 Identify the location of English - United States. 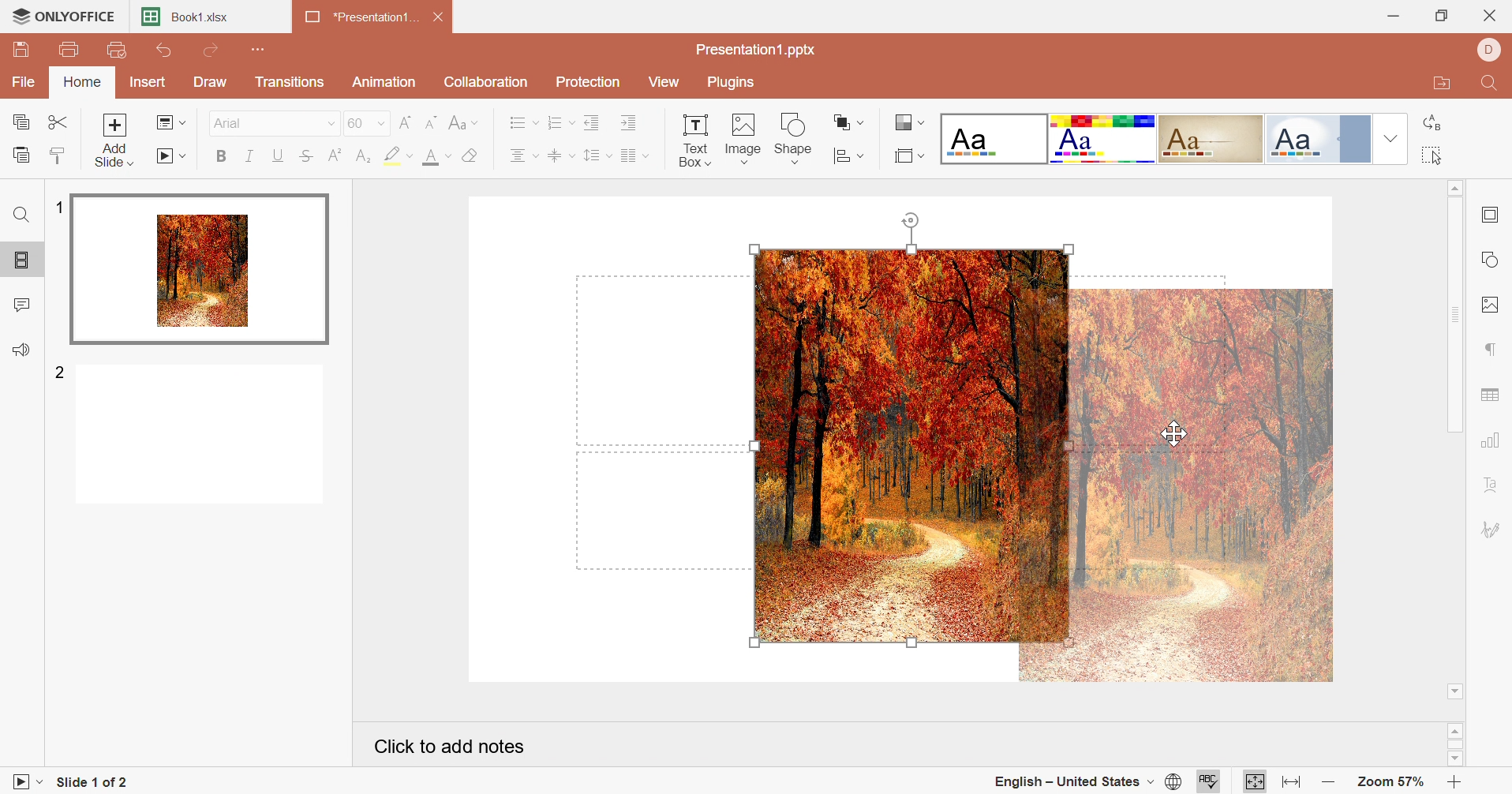
(1072, 782).